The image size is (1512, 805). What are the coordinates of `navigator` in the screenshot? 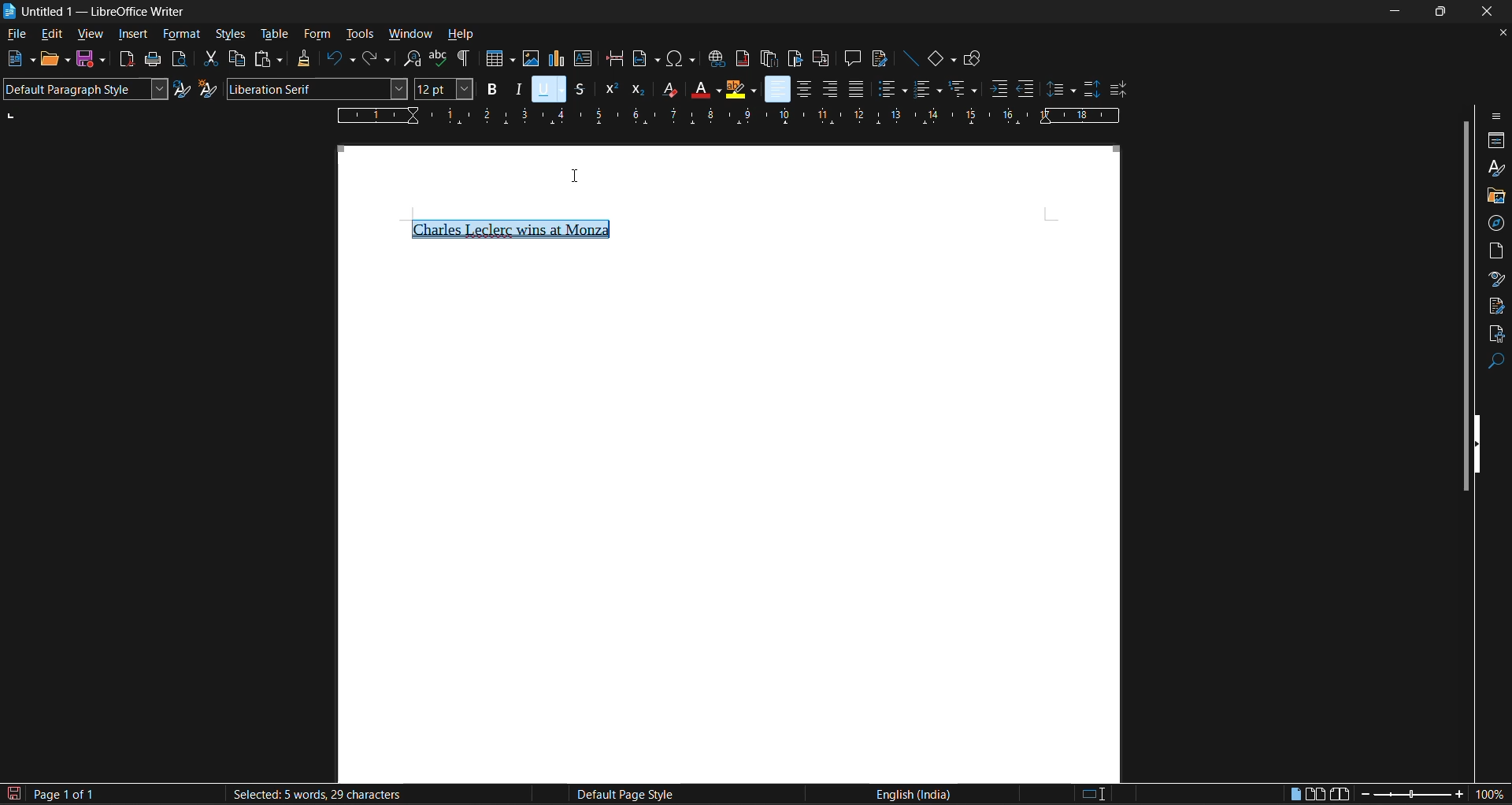 It's located at (1496, 224).